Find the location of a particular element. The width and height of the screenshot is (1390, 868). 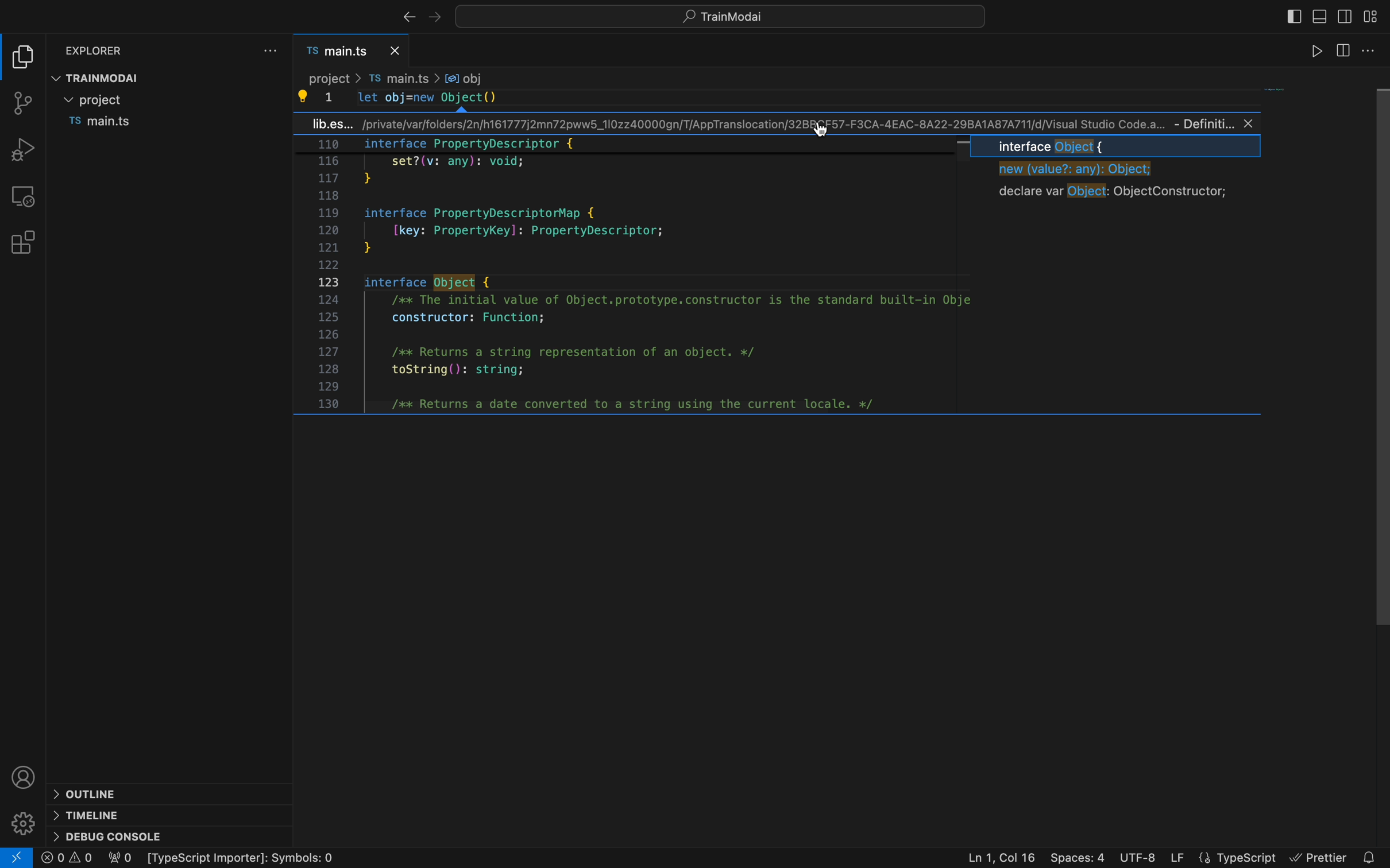

extensions is located at coordinates (22, 243).